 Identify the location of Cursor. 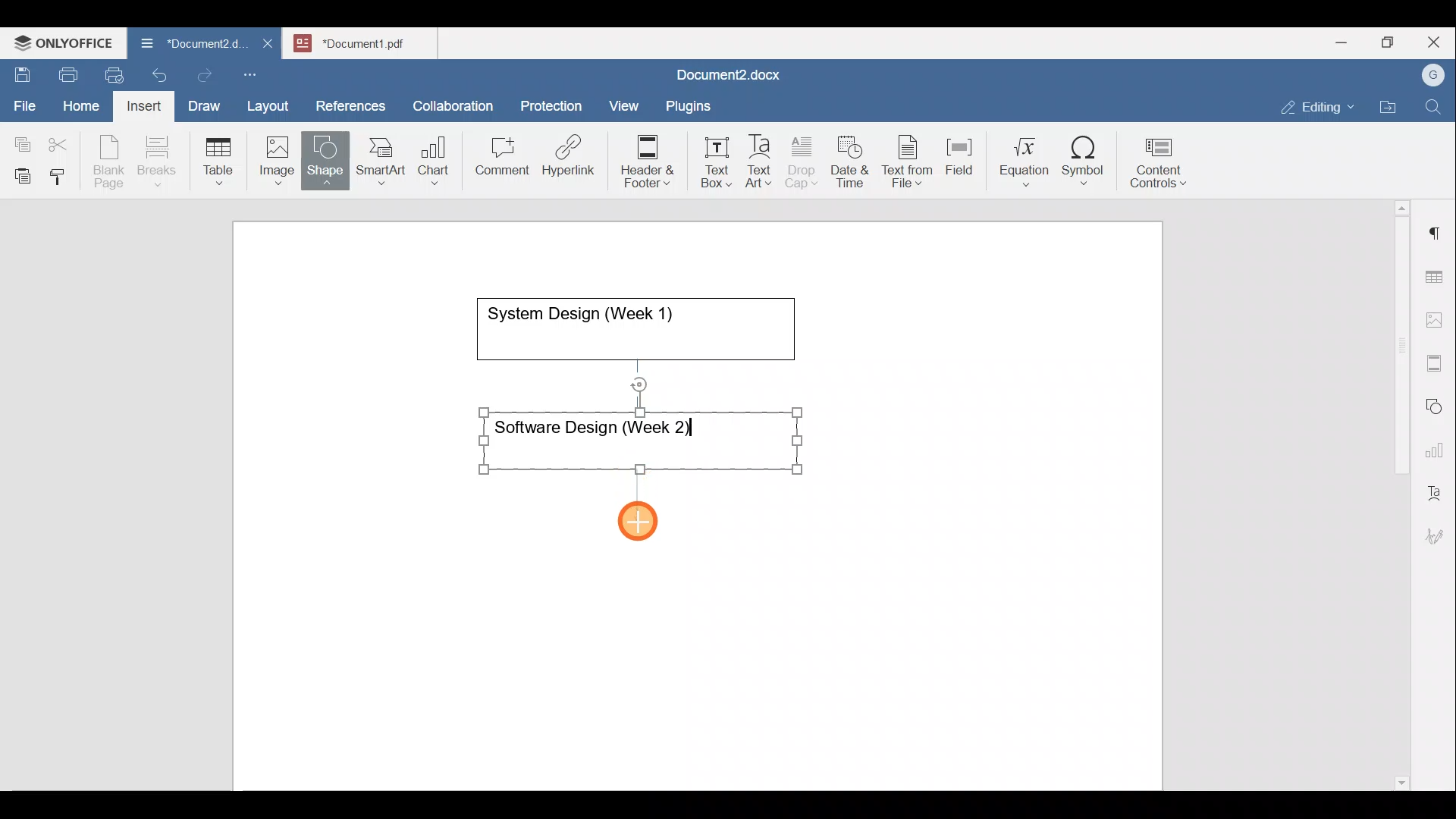
(643, 523).